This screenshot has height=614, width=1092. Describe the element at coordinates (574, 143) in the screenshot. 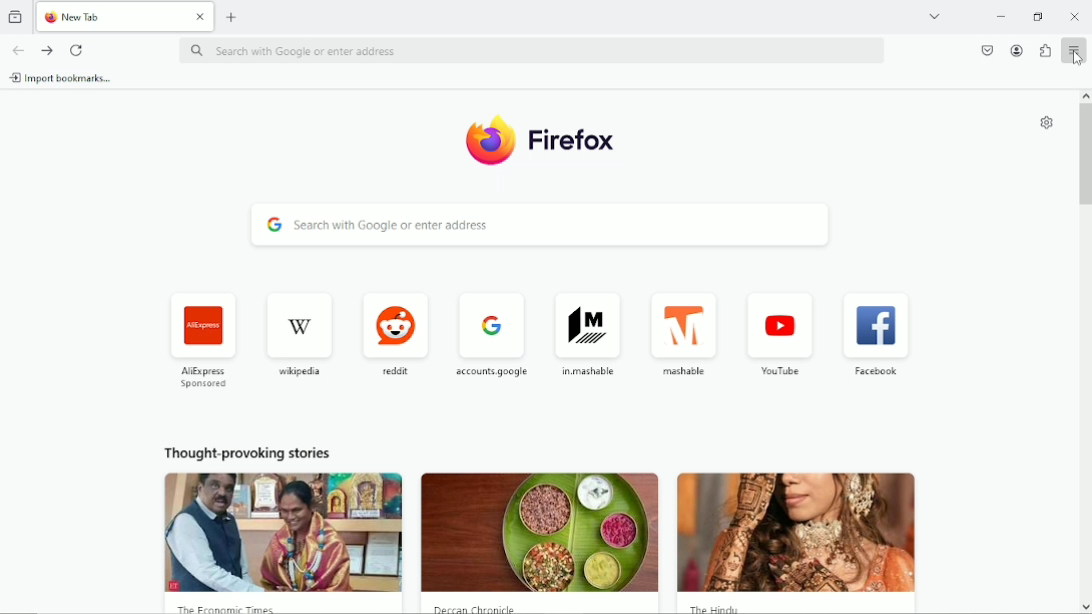

I see `firefox` at that location.